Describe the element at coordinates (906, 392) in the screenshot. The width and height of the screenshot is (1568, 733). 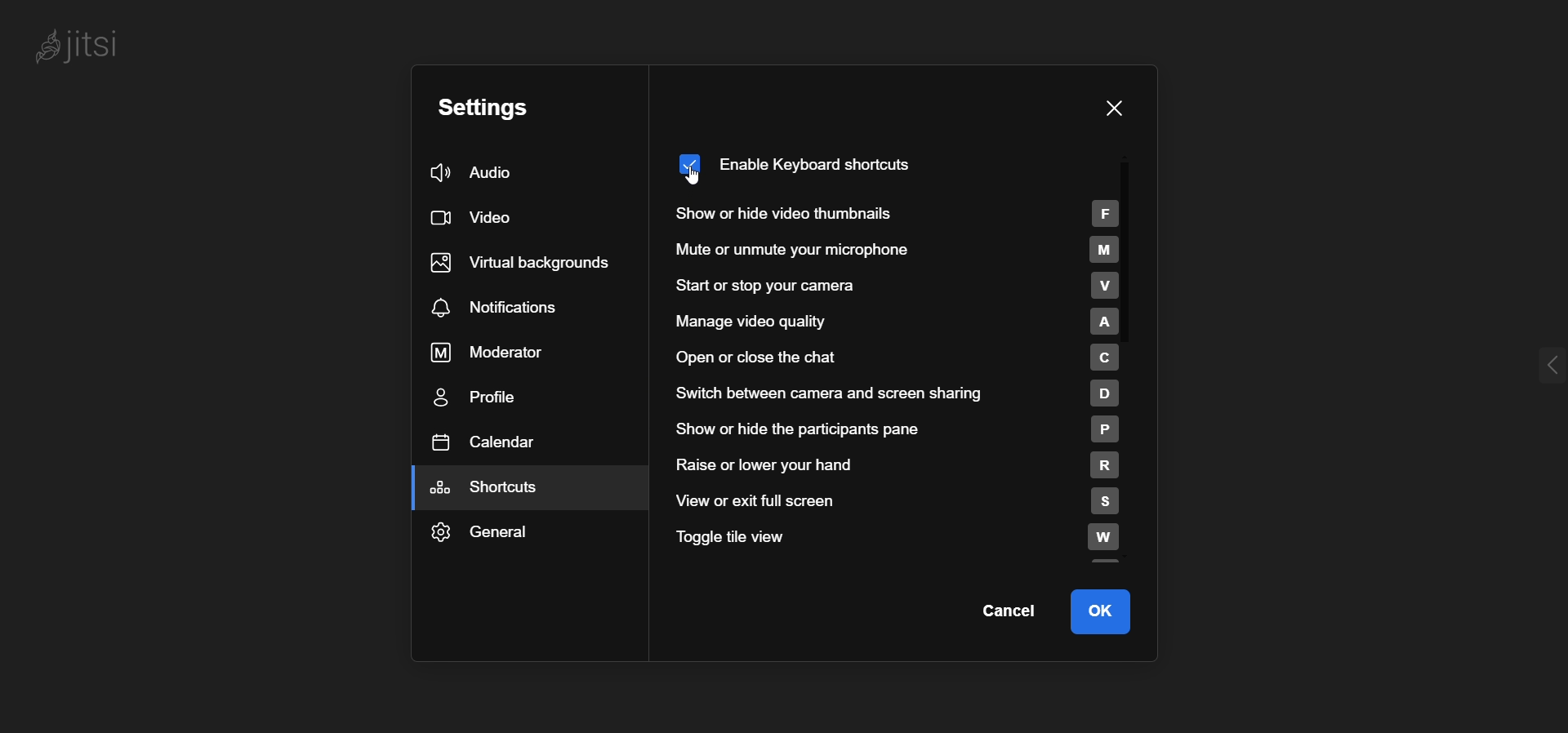
I see `switch between camera` at that location.